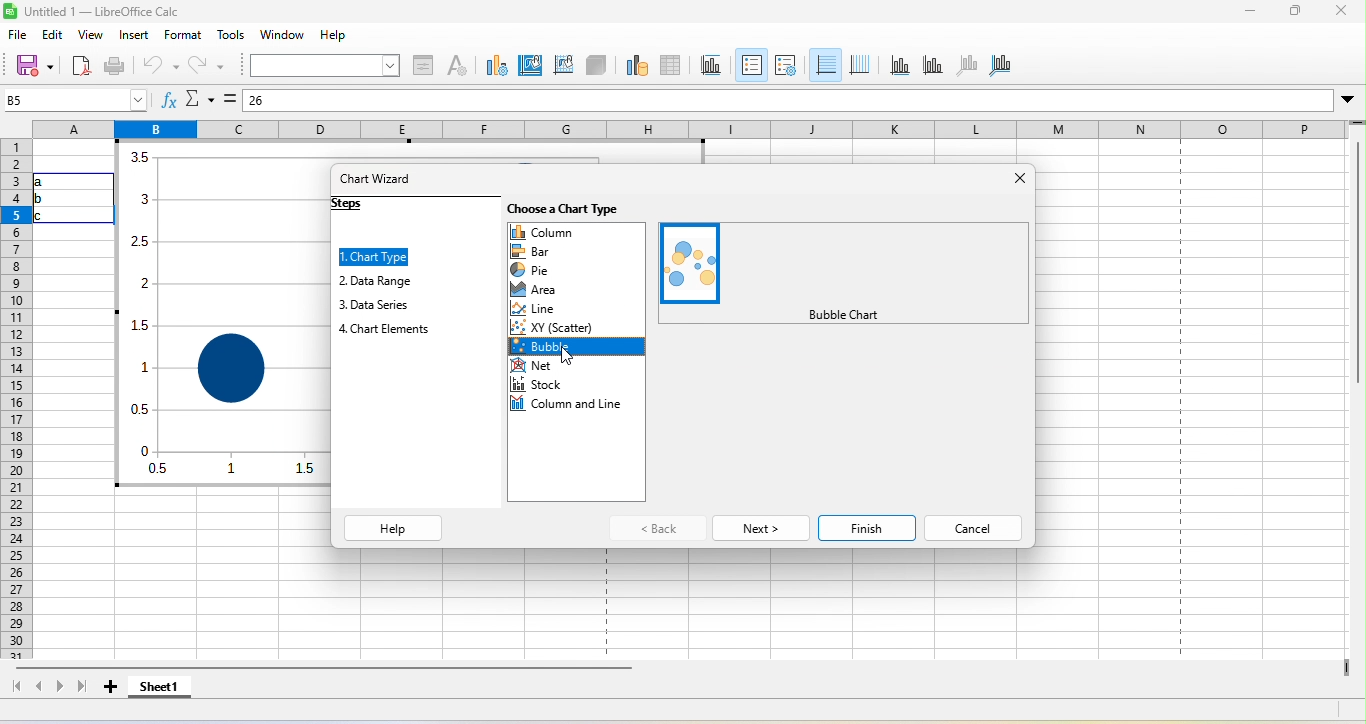  What do you see at coordinates (545, 291) in the screenshot?
I see `area` at bounding box center [545, 291].